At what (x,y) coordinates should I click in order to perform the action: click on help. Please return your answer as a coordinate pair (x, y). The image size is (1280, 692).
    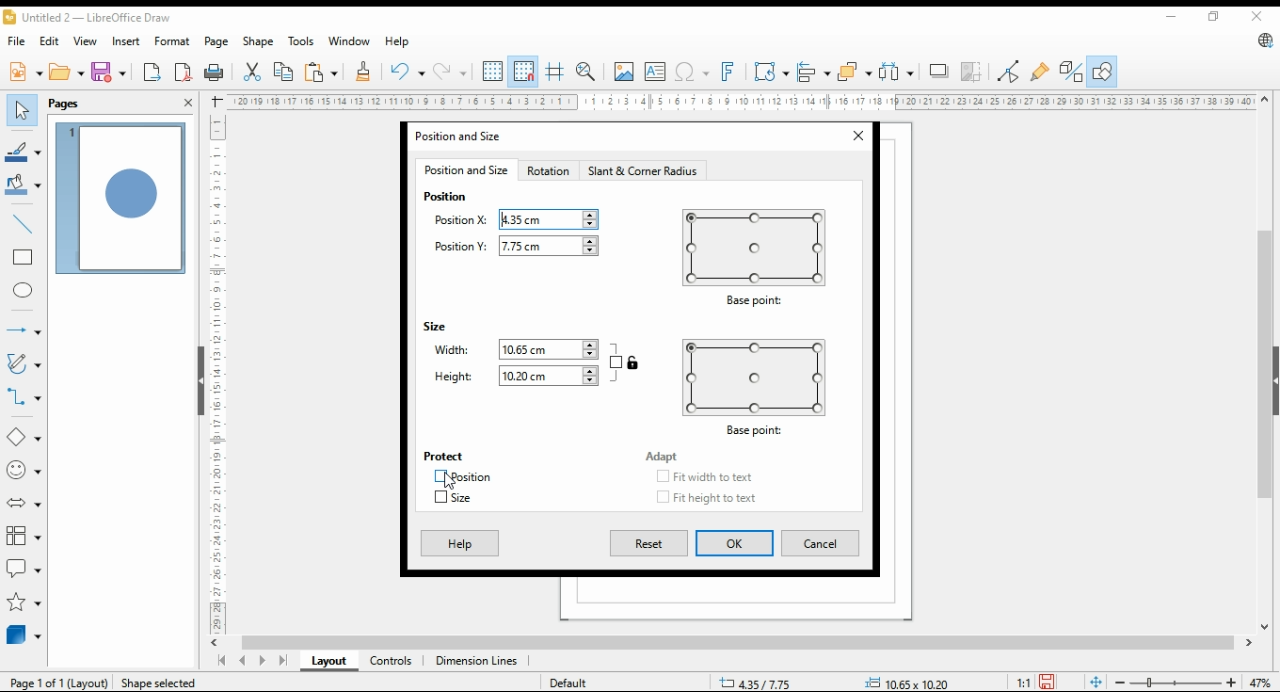
    Looking at the image, I should click on (457, 543).